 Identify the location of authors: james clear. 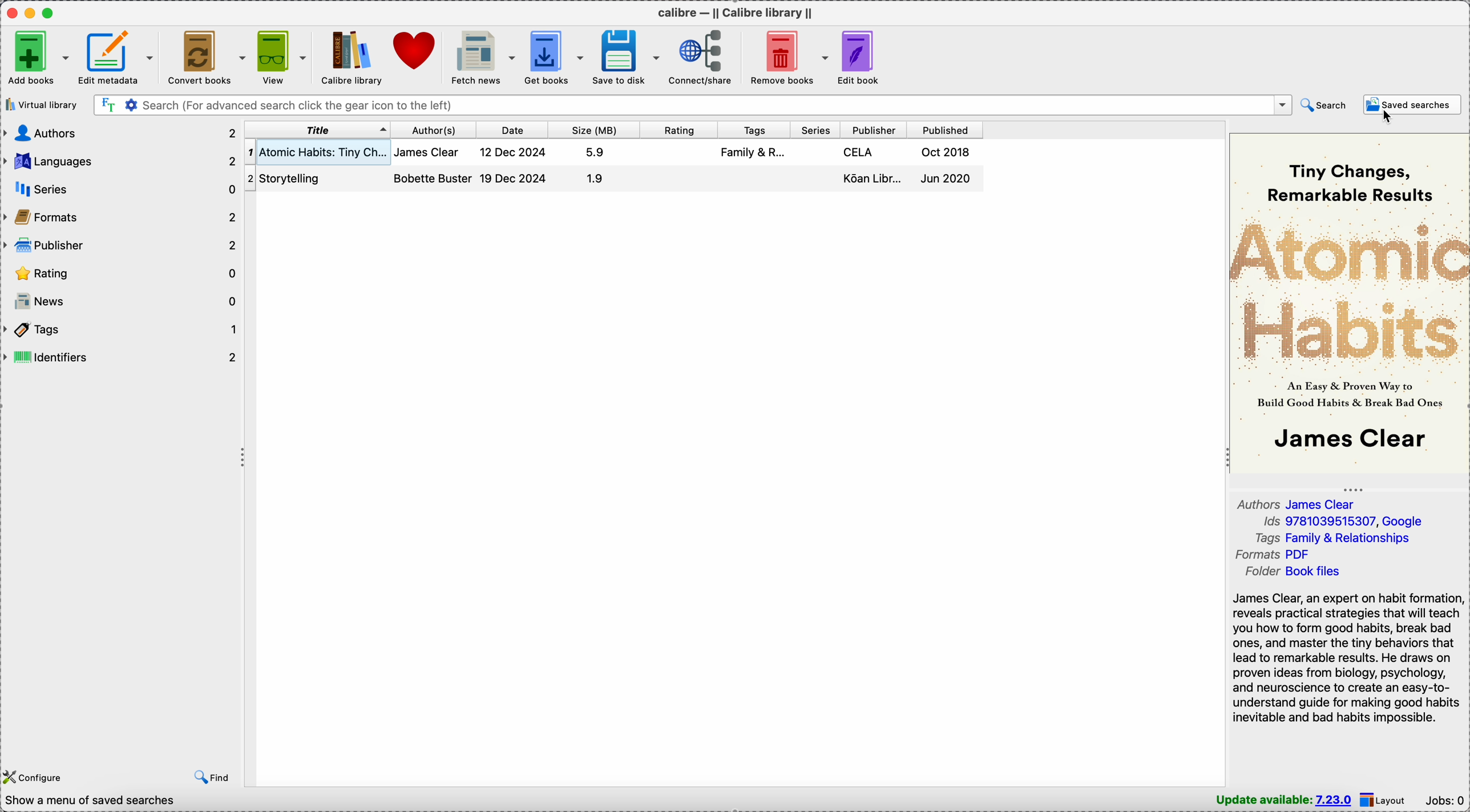
(1301, 504).